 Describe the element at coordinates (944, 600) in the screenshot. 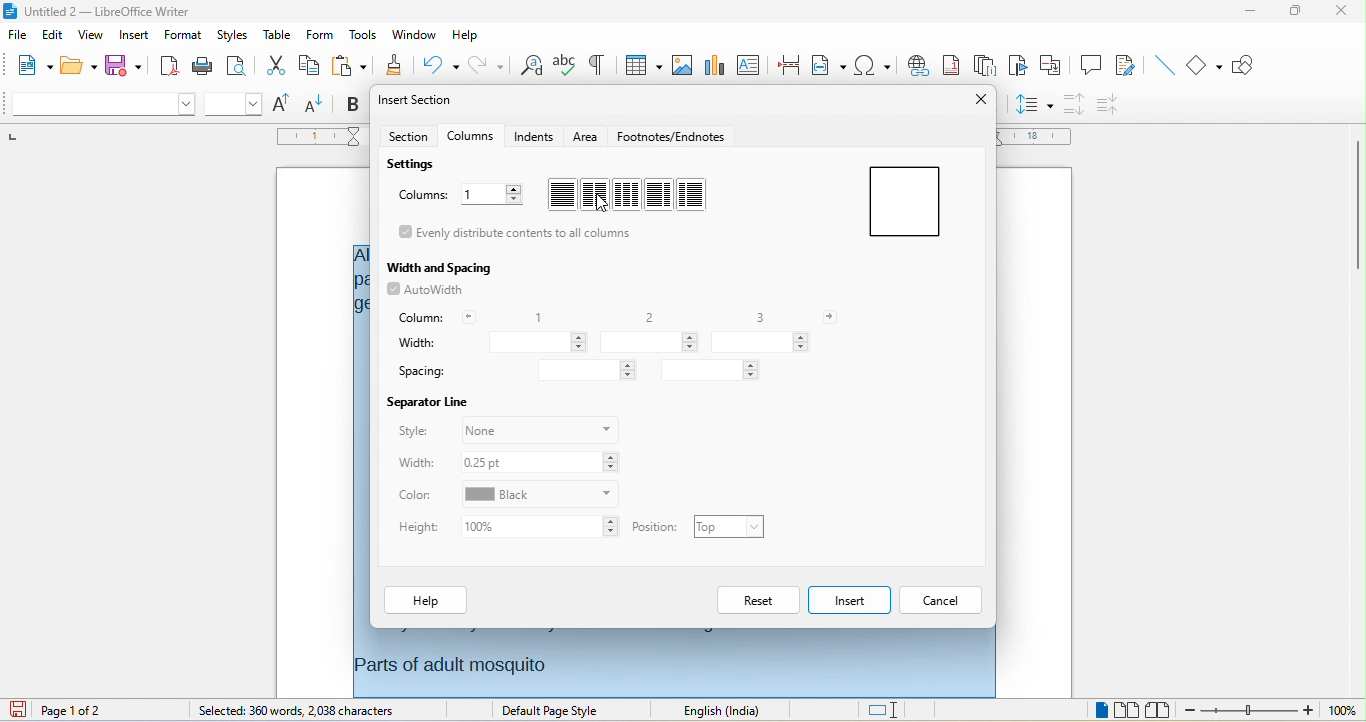

I see `cancel` at that location.